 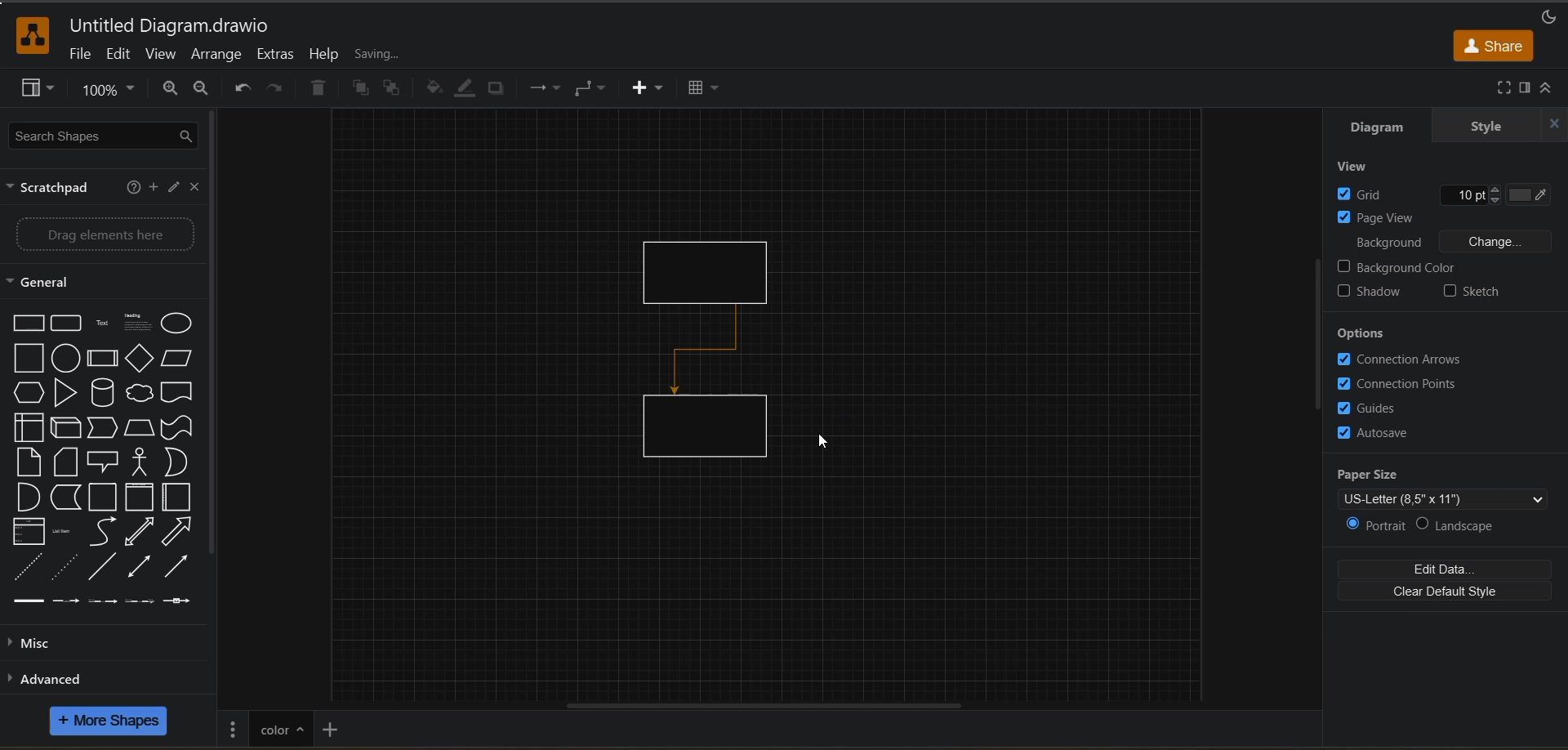 I want to click on background, so click(x=1389, y=240).